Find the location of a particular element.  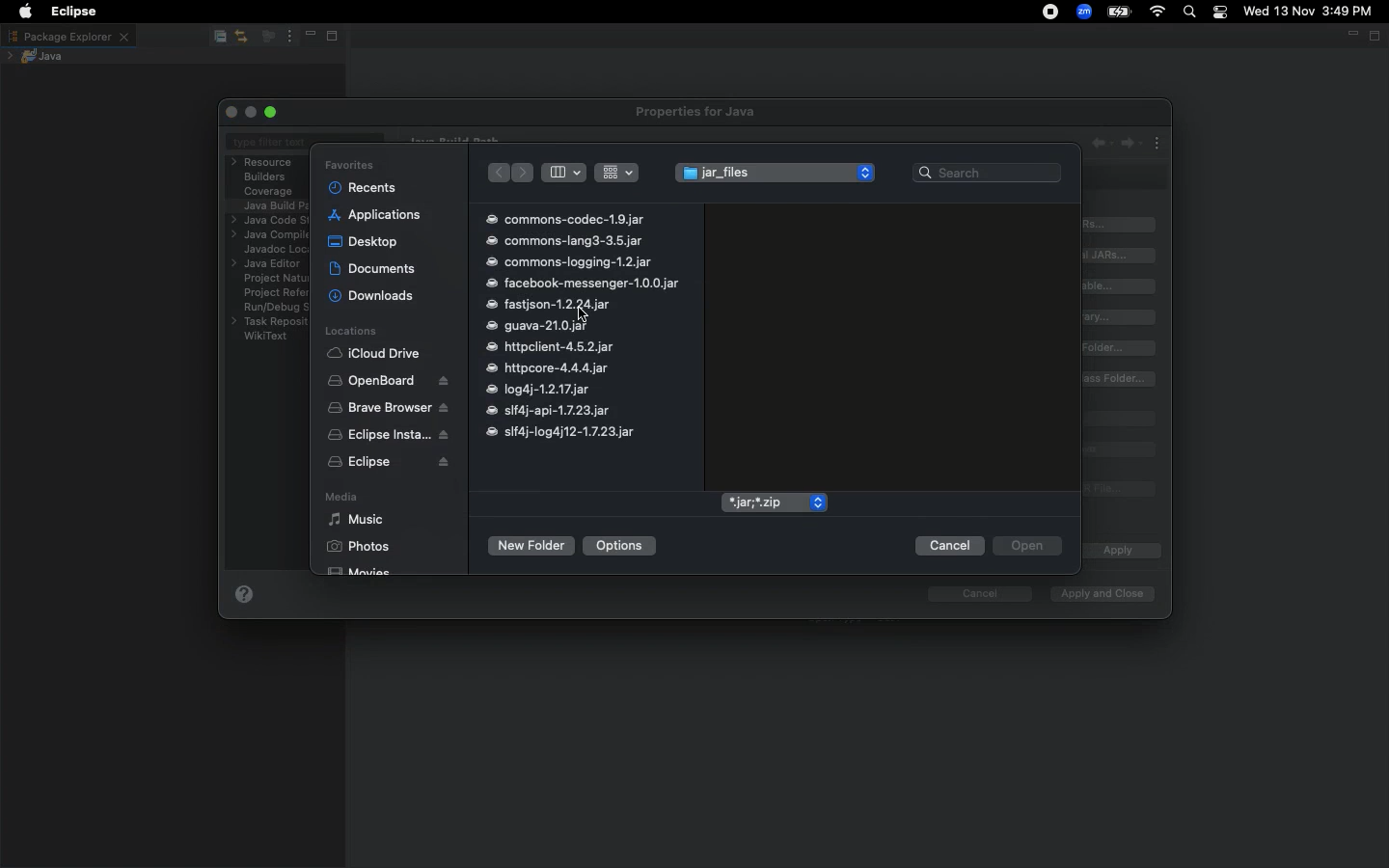

RuryDebug is located at coordinates (276, 310).